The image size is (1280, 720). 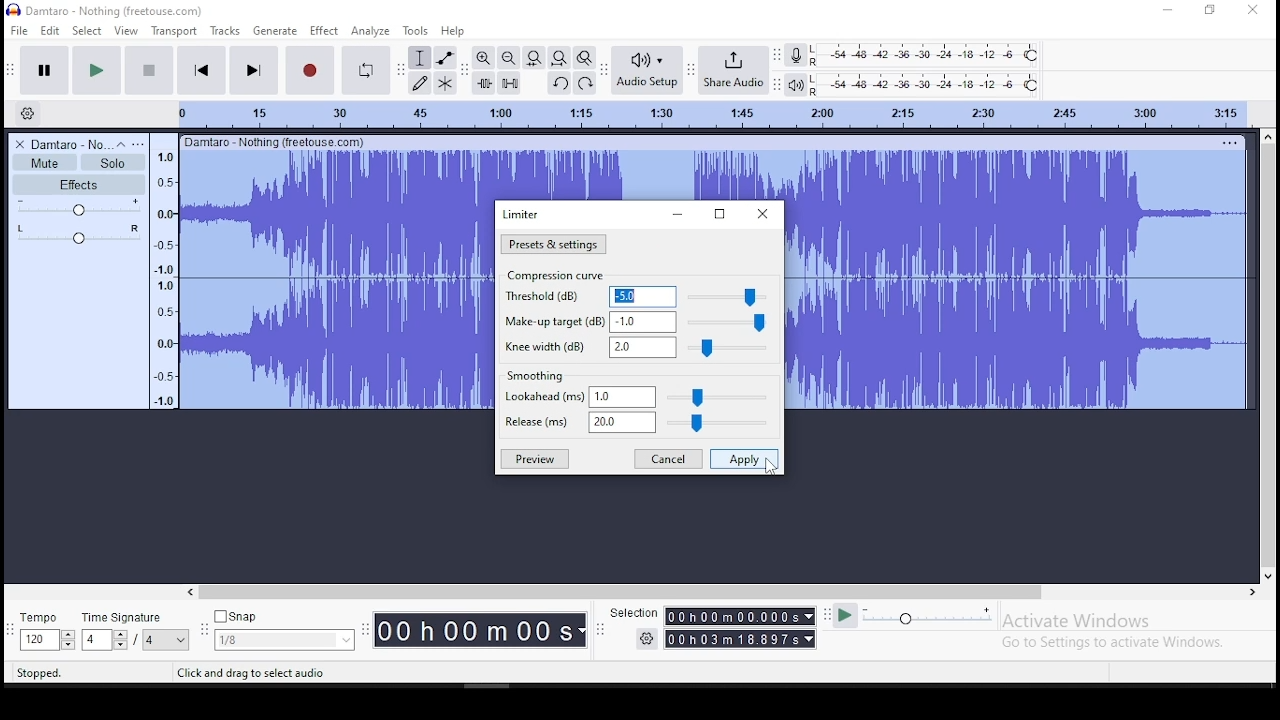 What do you see at coordinates (241, 281) in the screenshot?
I see `audio clip` at bounding box center [241, 281].